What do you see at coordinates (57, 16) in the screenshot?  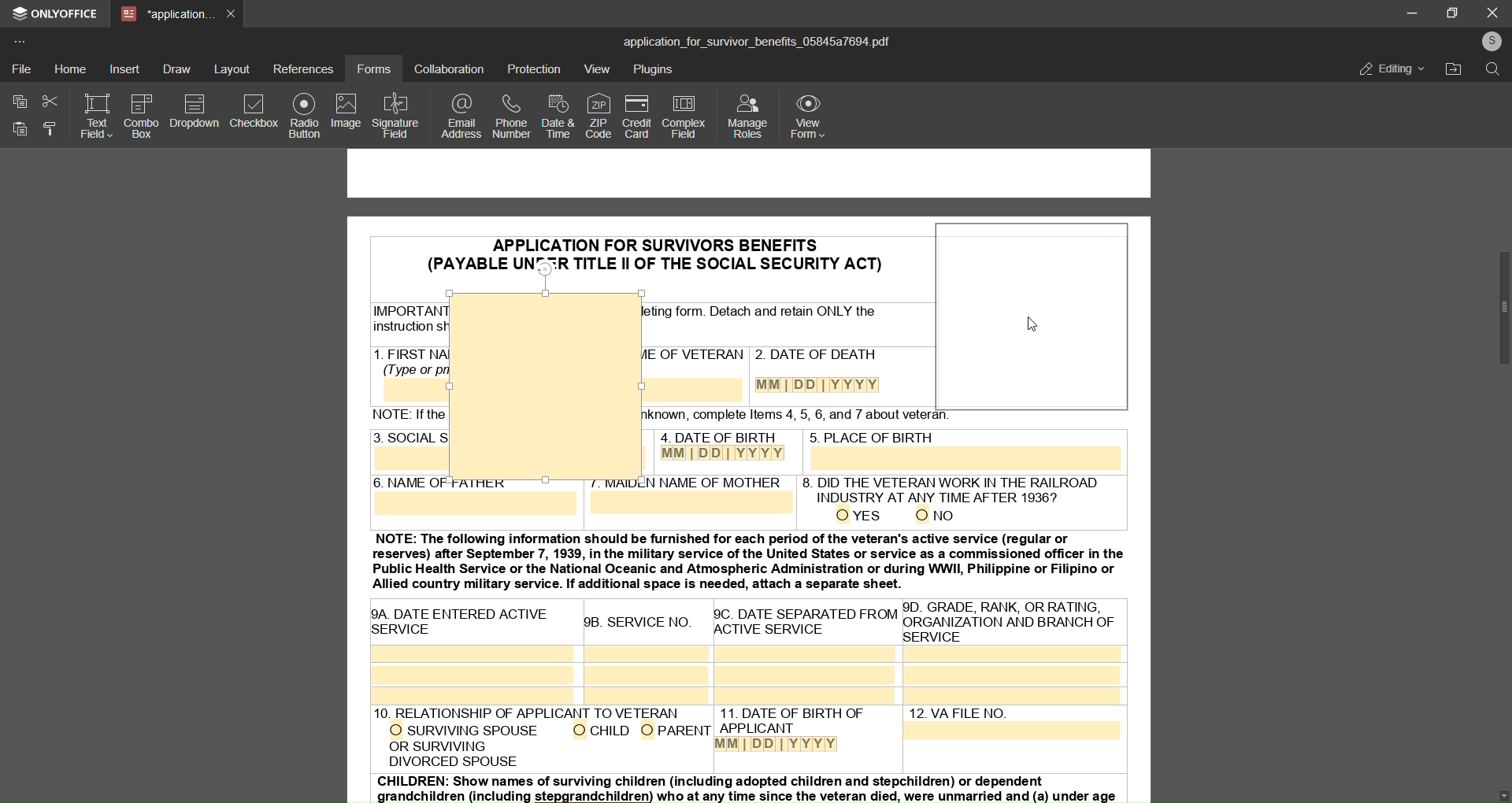 I see `onlyoffice` at bounding box center [57, 16].